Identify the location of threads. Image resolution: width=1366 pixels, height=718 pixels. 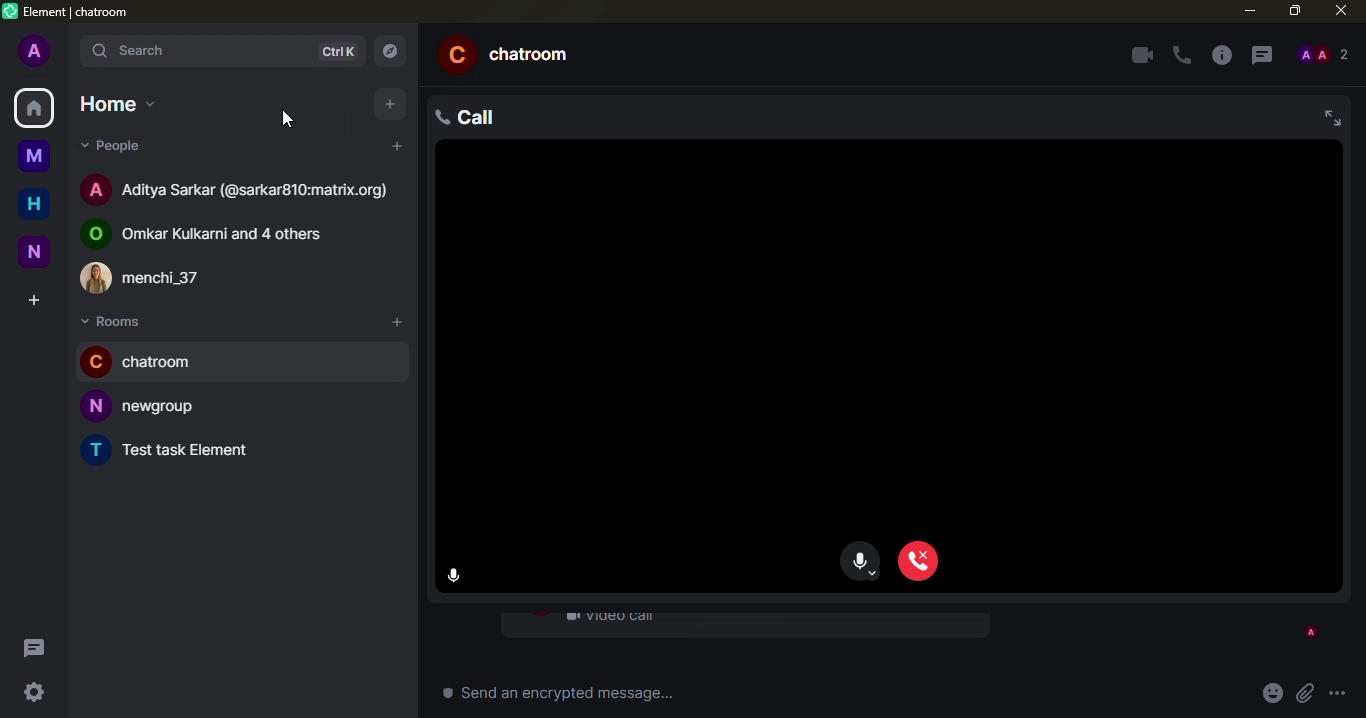
(38, 648).